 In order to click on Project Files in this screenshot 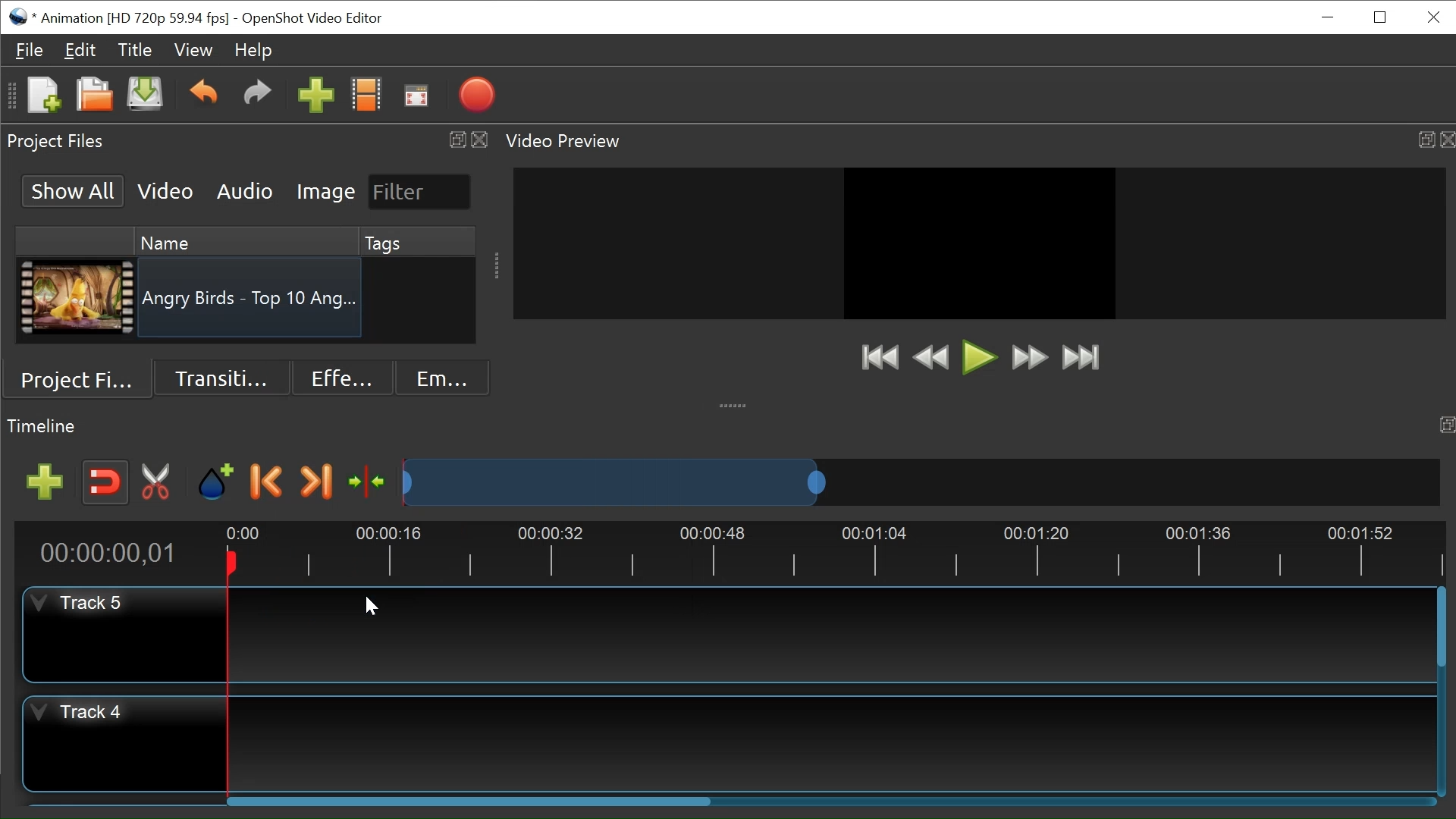, I will do `click(79, 379)`.